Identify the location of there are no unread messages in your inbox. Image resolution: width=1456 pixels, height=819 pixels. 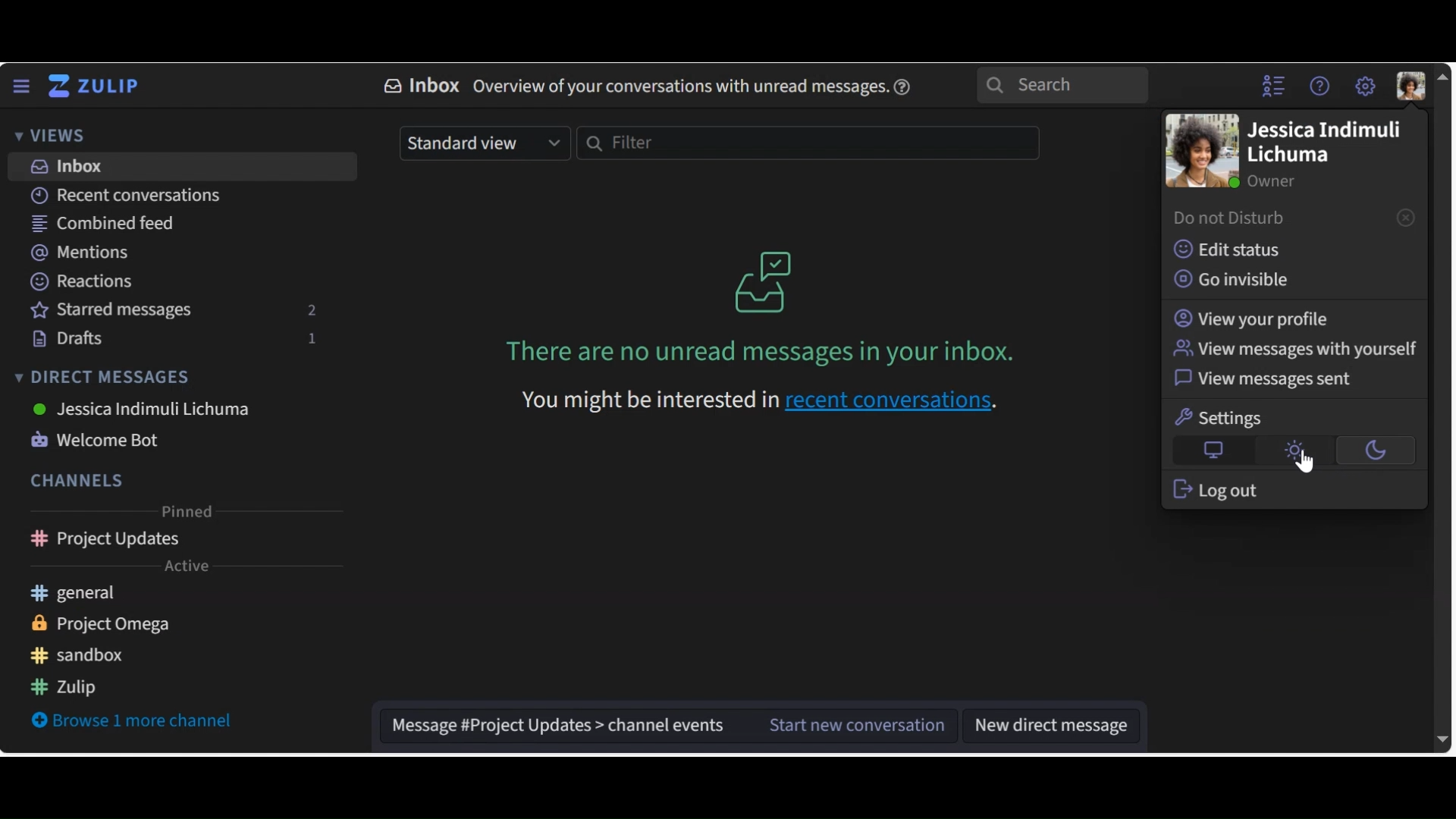
(721, 354).